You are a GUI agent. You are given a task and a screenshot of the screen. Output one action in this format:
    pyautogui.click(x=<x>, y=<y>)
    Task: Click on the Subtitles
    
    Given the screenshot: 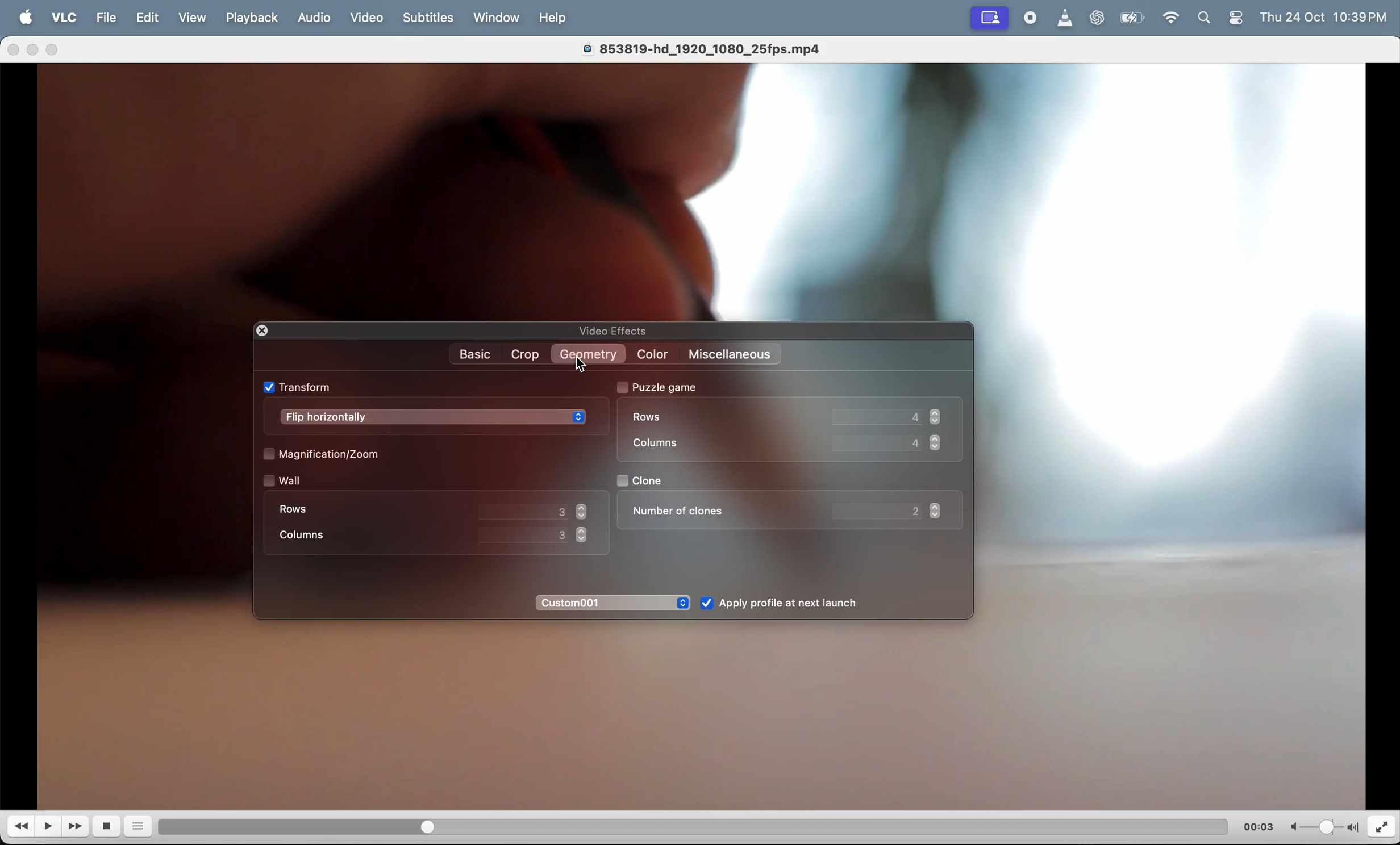 What is the action you would take?
    pyautogui.click(x=431, y=18)
    